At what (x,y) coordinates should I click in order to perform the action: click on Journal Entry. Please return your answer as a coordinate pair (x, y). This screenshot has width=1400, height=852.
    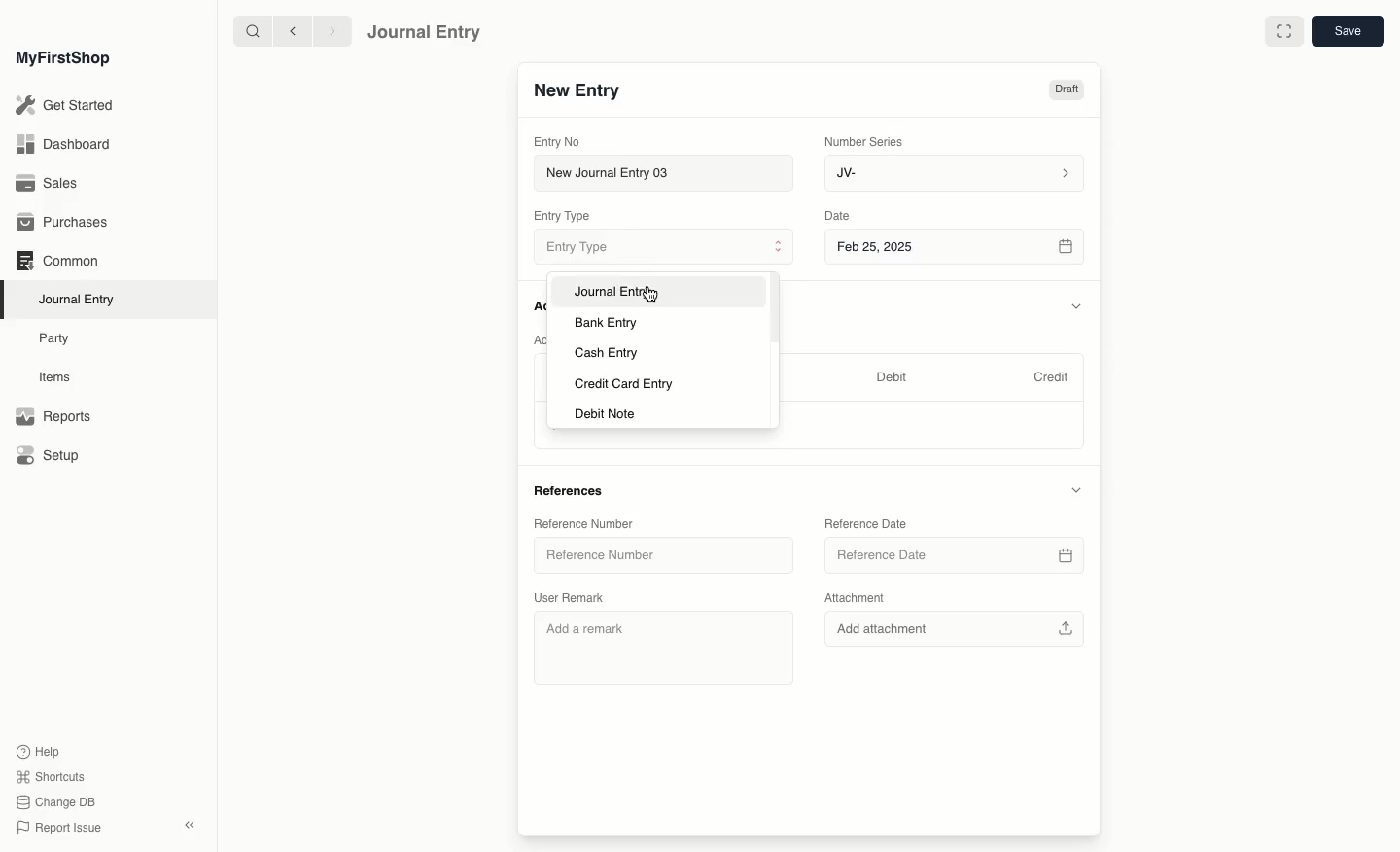
    Looking at the image, I should click on (425, 31).